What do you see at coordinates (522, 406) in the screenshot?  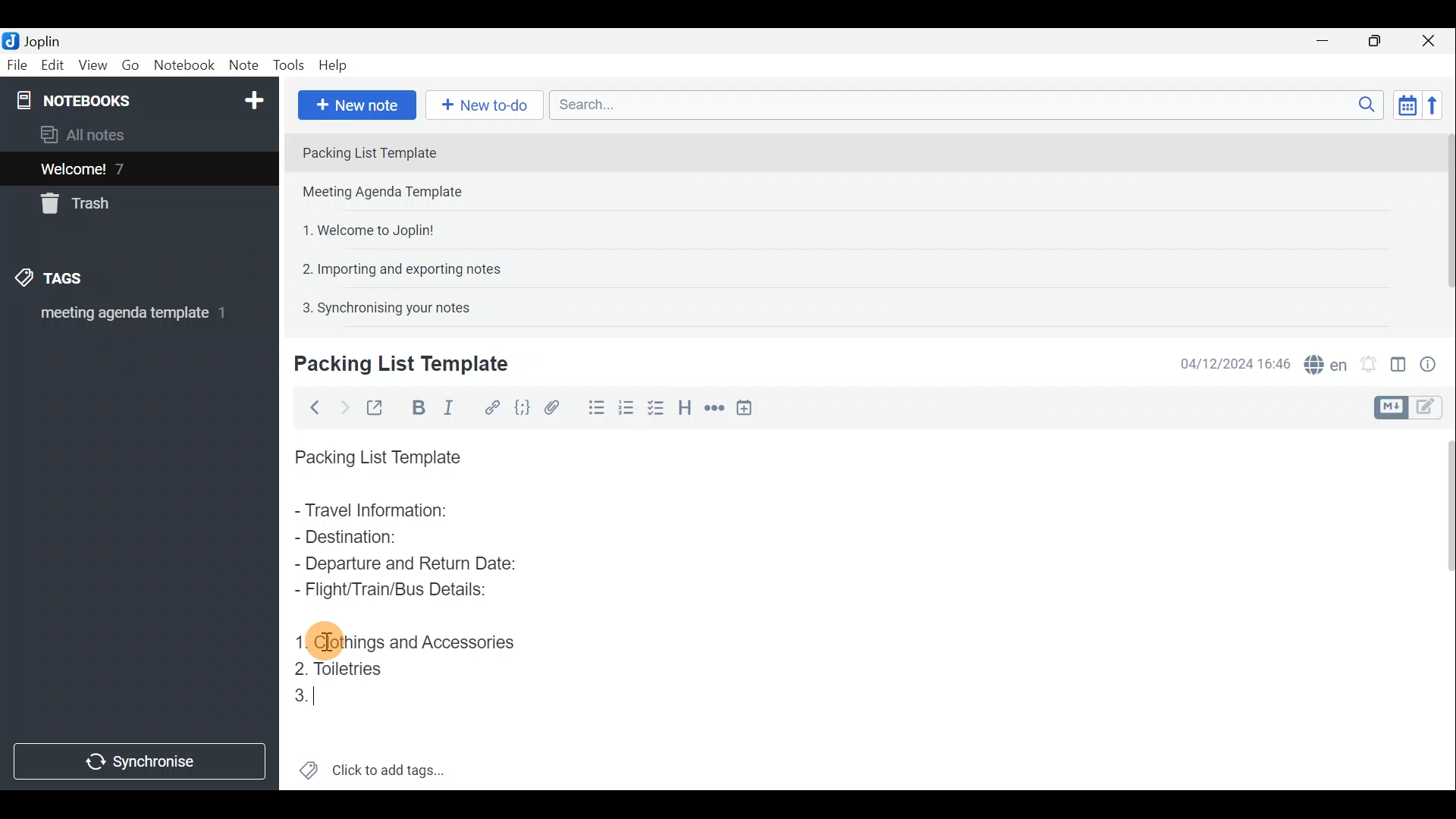 I see `Code` at bounding box center [522, 406].